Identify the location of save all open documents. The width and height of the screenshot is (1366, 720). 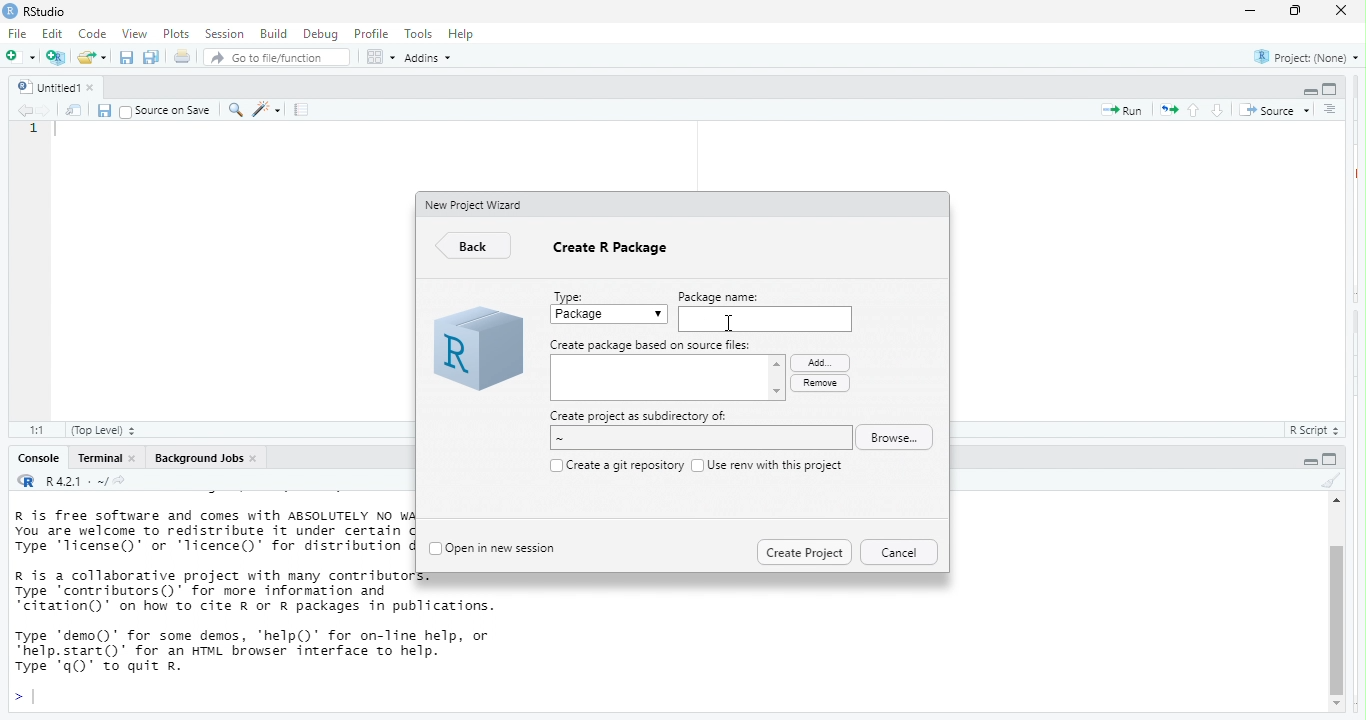
(152, 57).